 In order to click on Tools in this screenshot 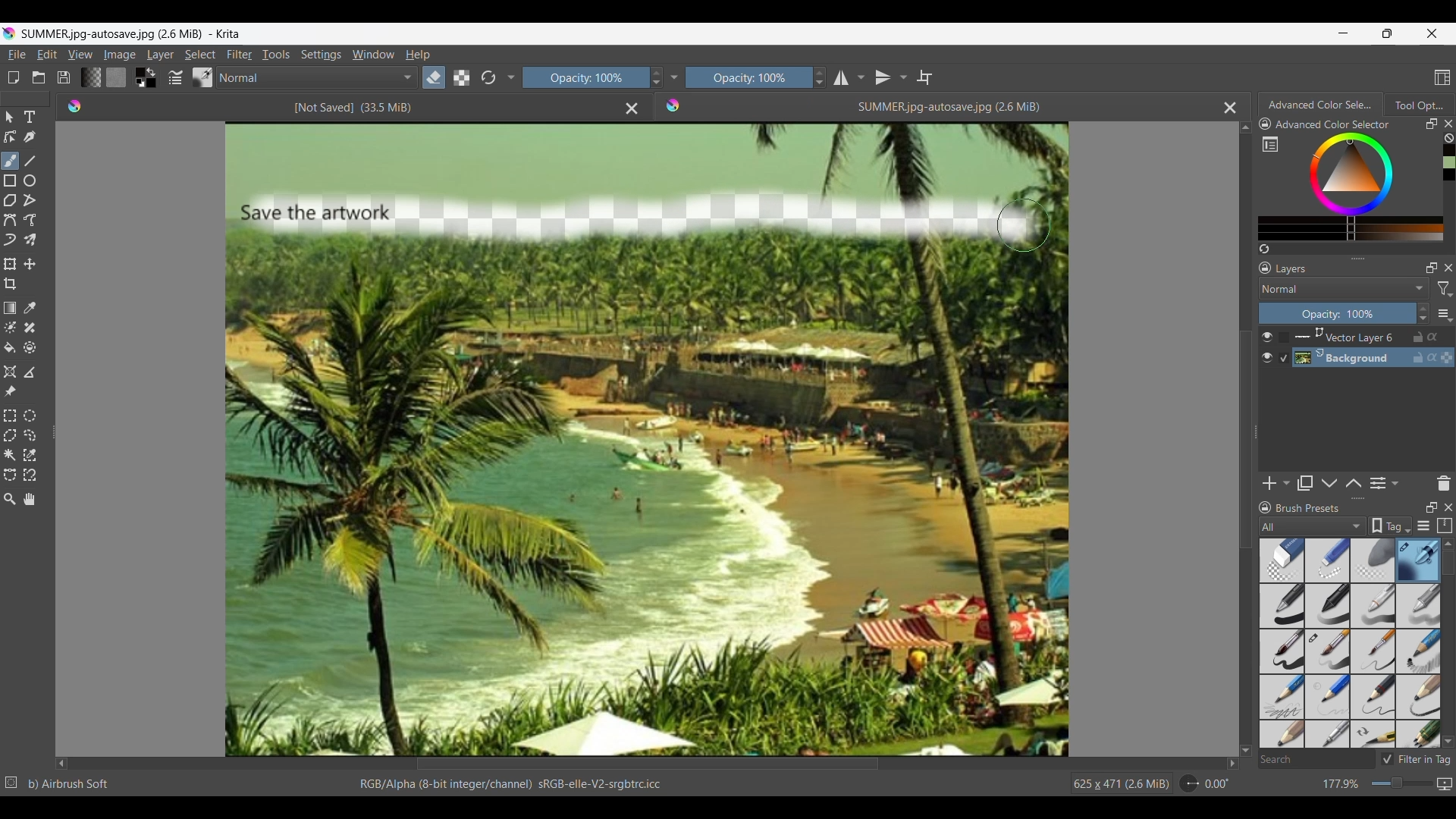, I will do `click(276, 55)`.